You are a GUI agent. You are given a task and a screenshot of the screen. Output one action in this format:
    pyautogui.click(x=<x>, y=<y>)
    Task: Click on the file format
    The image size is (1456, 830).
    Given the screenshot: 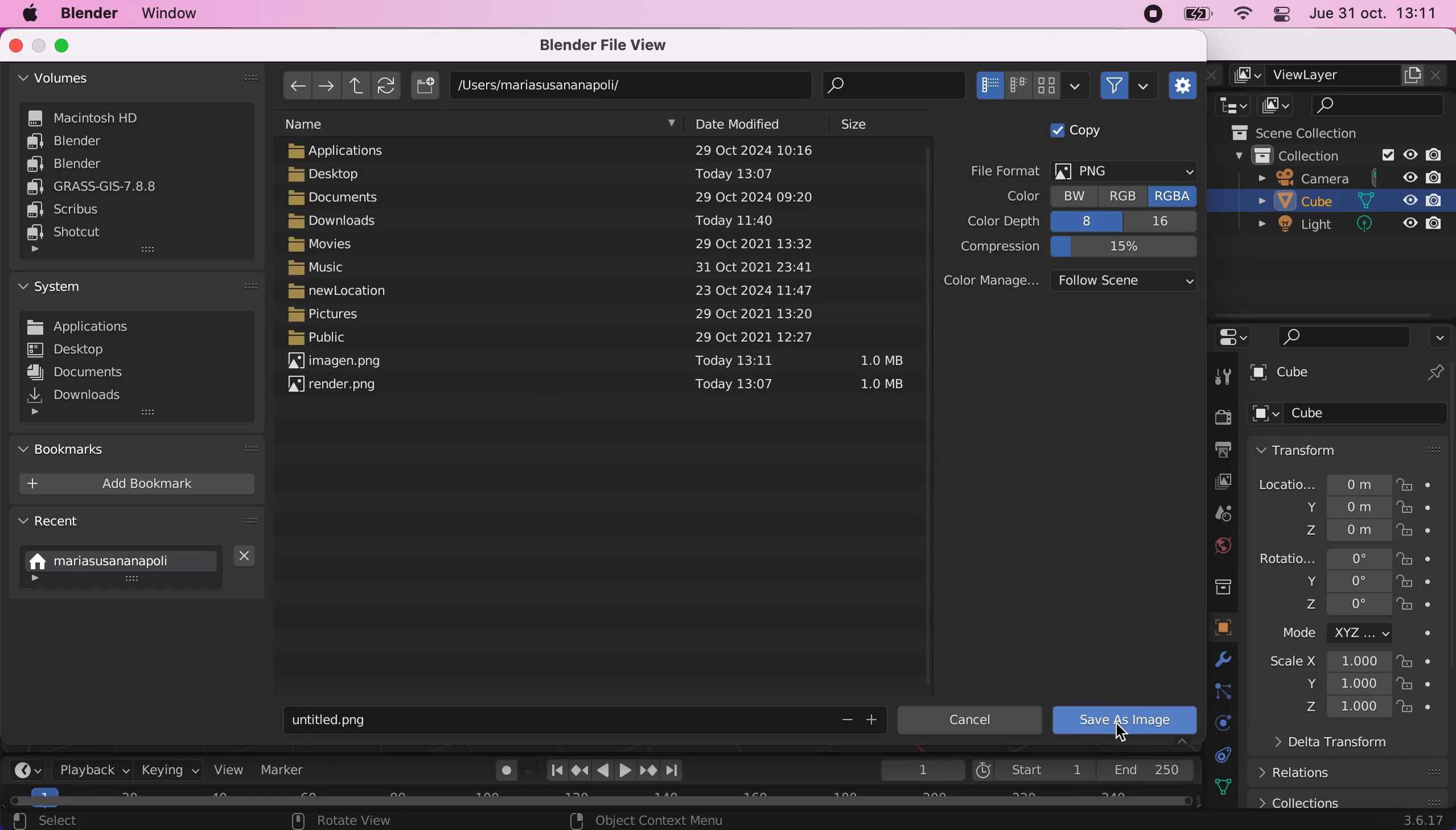 What is the action you would take?
    pyautogui.click(x=1084, y=171)
    